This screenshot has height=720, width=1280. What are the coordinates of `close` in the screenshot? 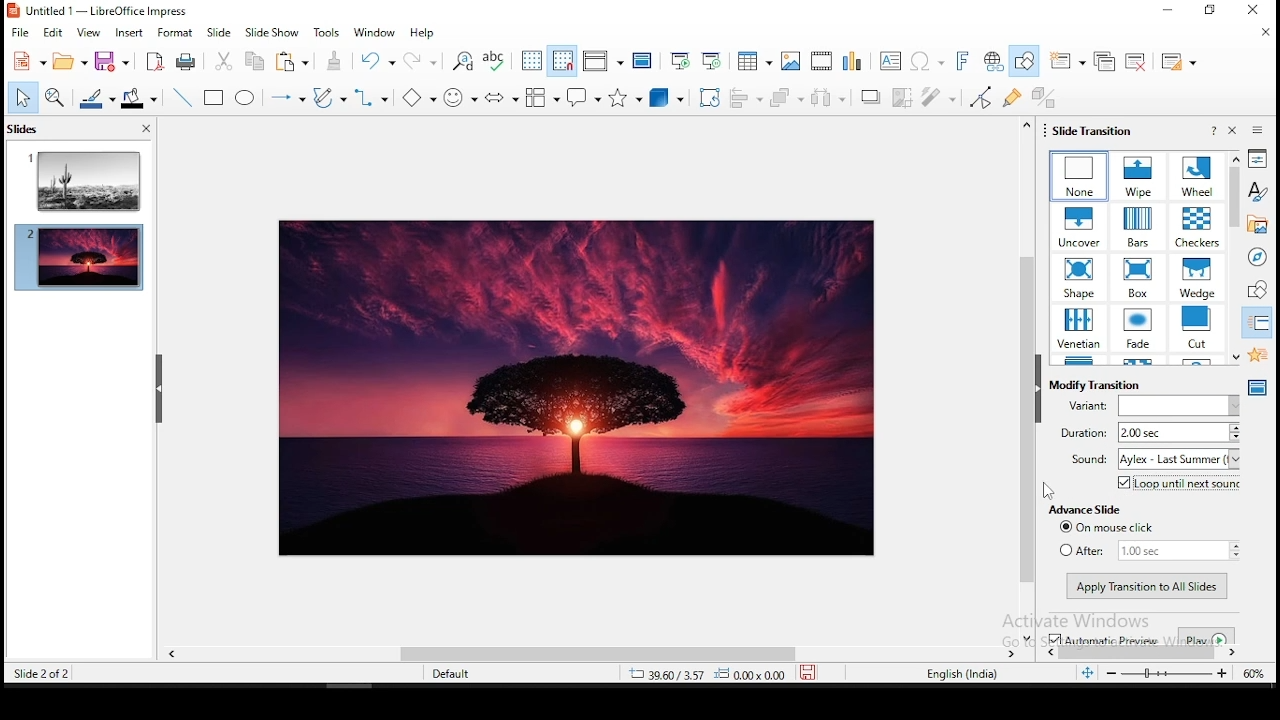 It's located at (145, 129).